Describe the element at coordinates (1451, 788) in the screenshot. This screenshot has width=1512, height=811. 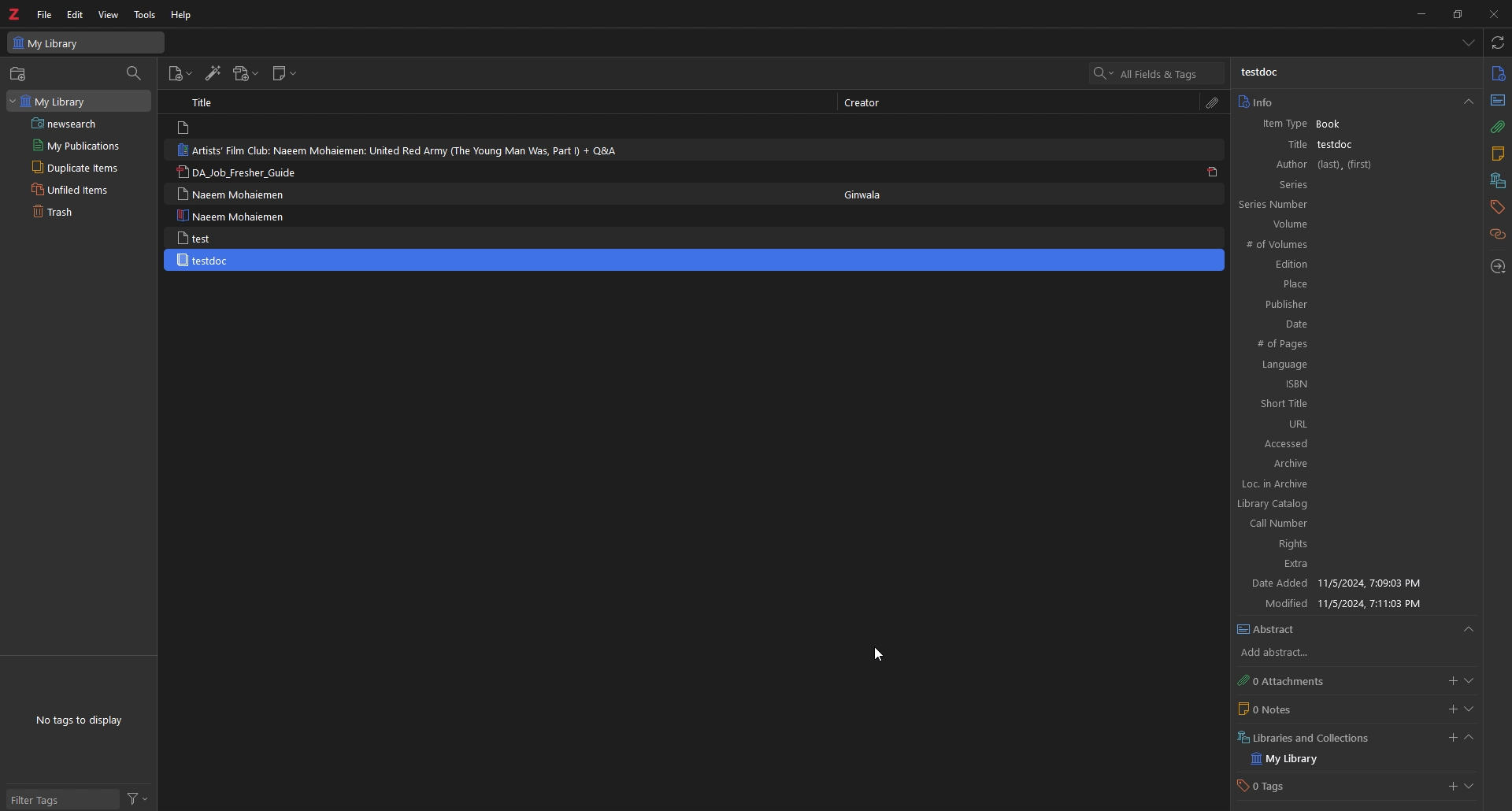
I see `add tags` at that location.